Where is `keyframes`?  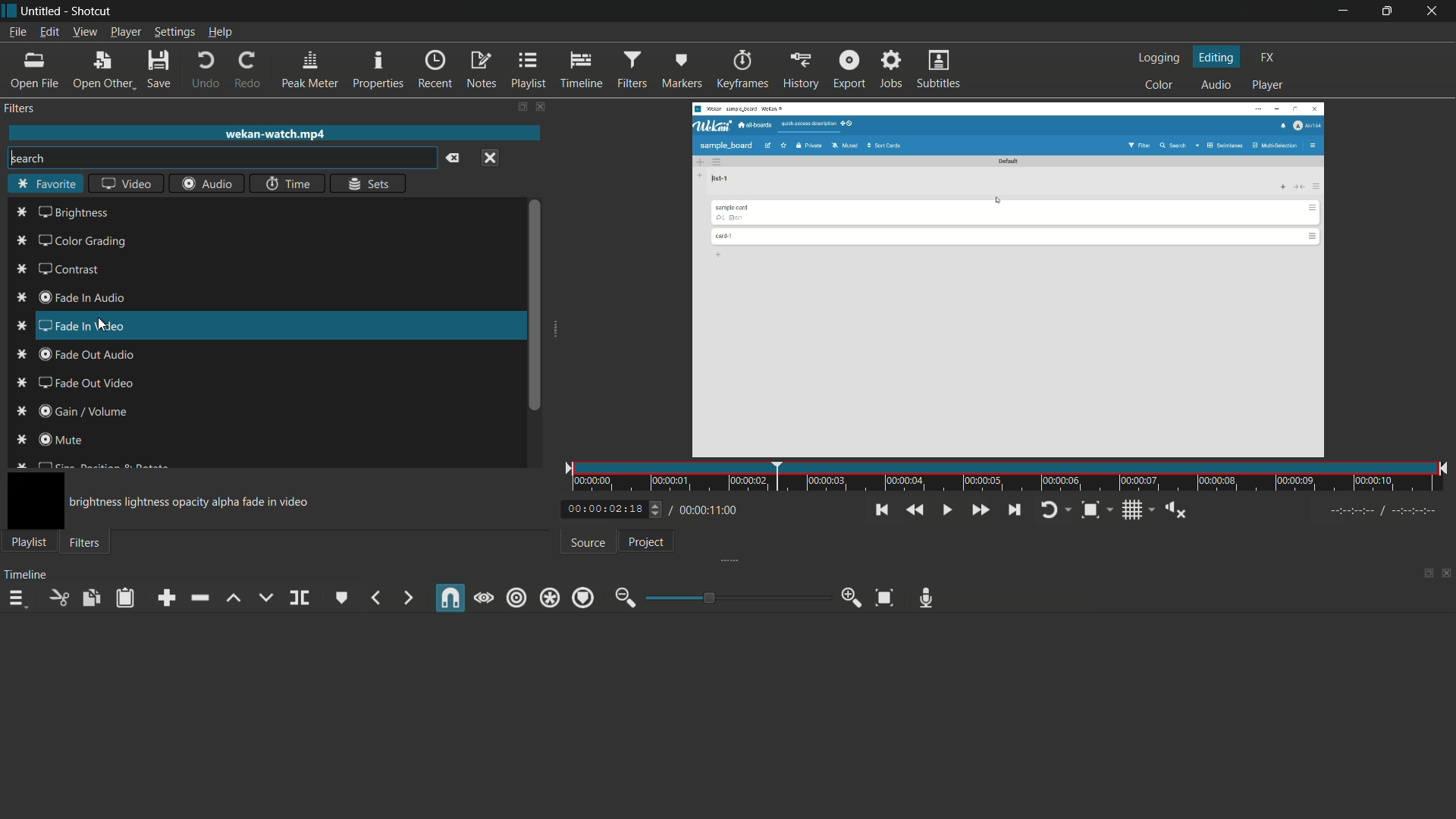
keyframes is located at coordinates (742, 71).